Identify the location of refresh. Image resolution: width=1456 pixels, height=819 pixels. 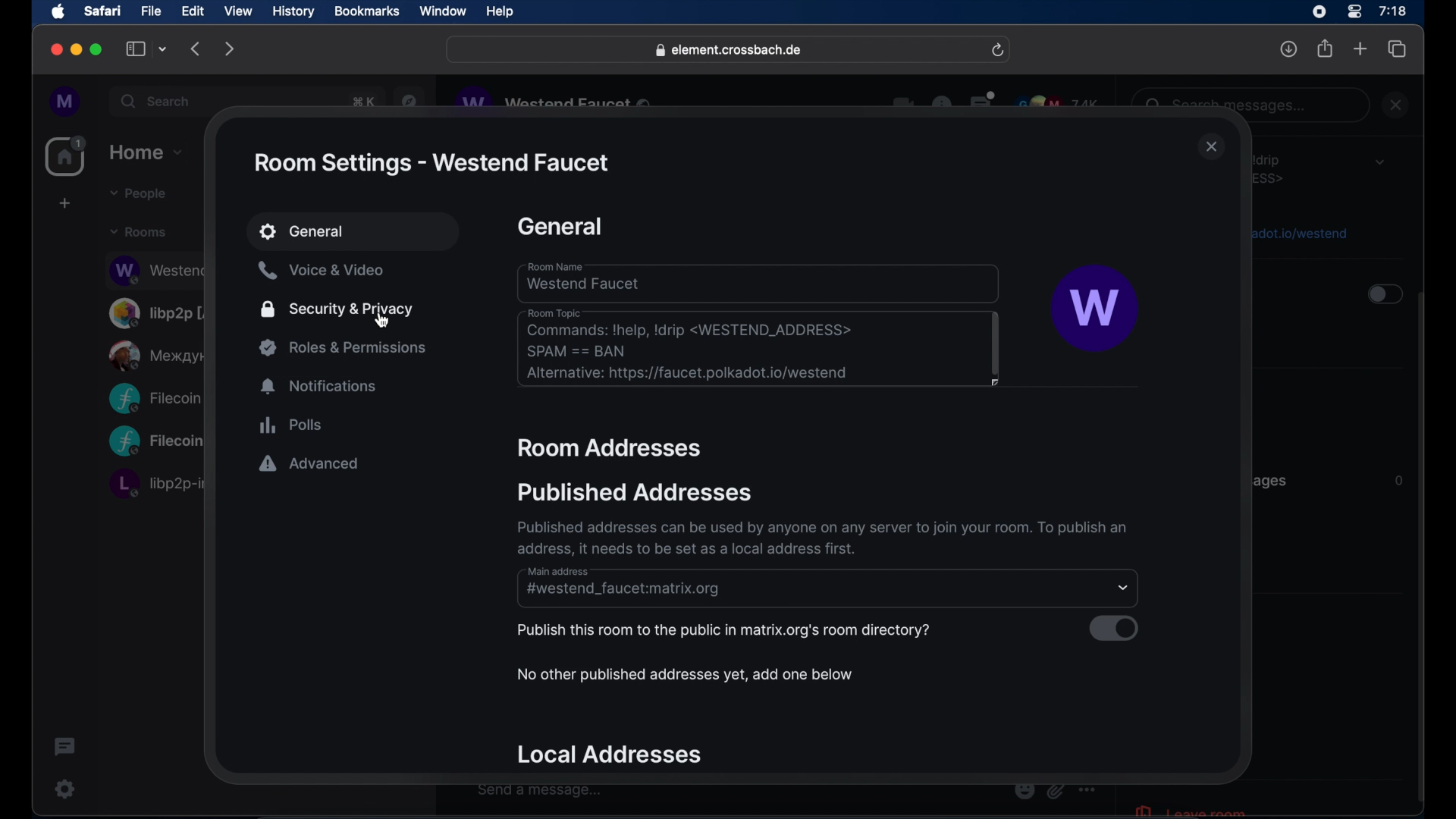
(997, 51).